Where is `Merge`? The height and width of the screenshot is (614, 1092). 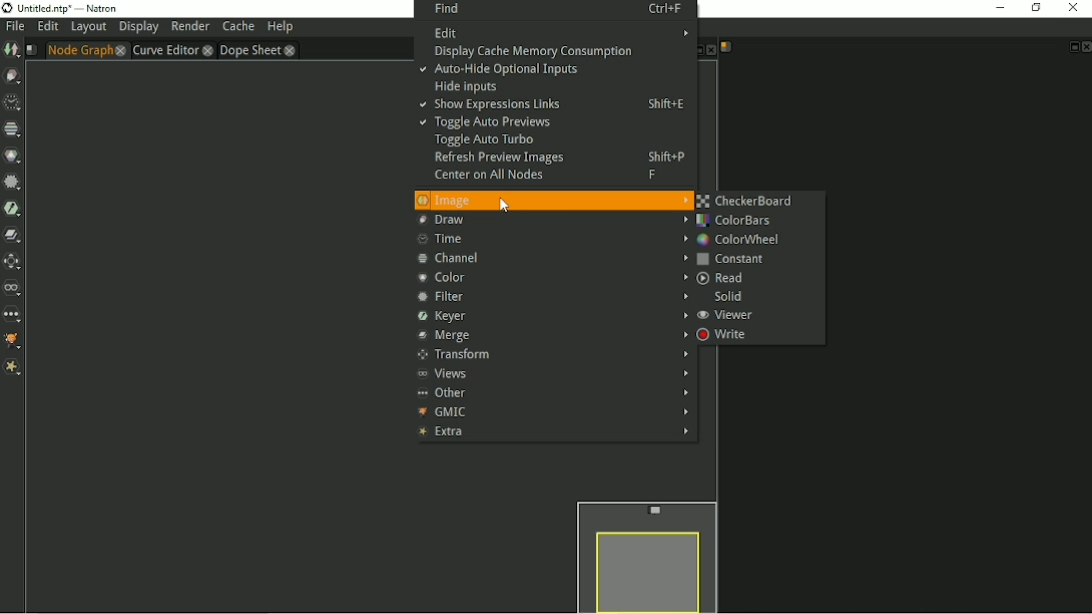
Merge is located at coordinates (551, 336).